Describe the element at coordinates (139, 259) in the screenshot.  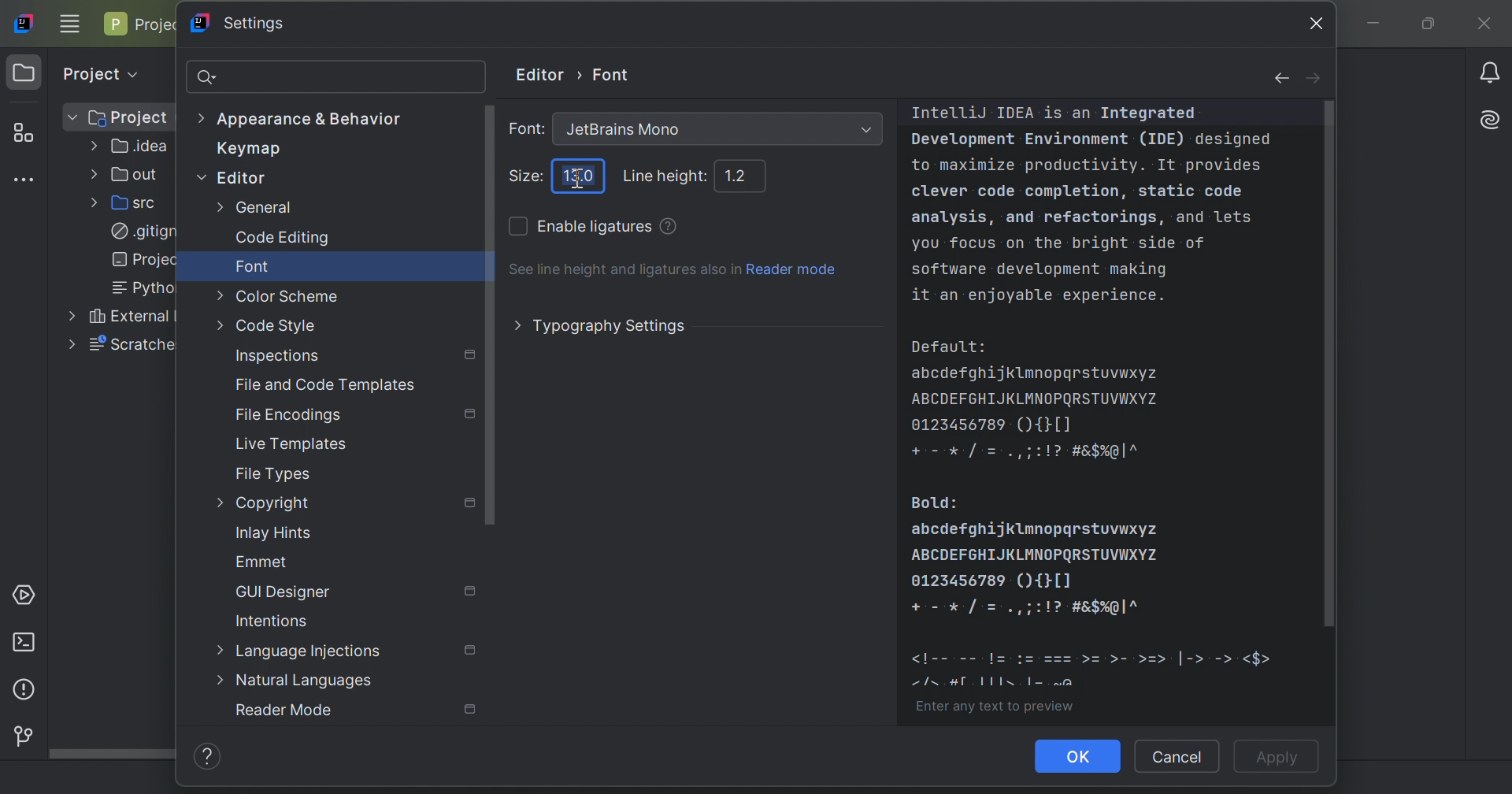
I see `projec` at that location.